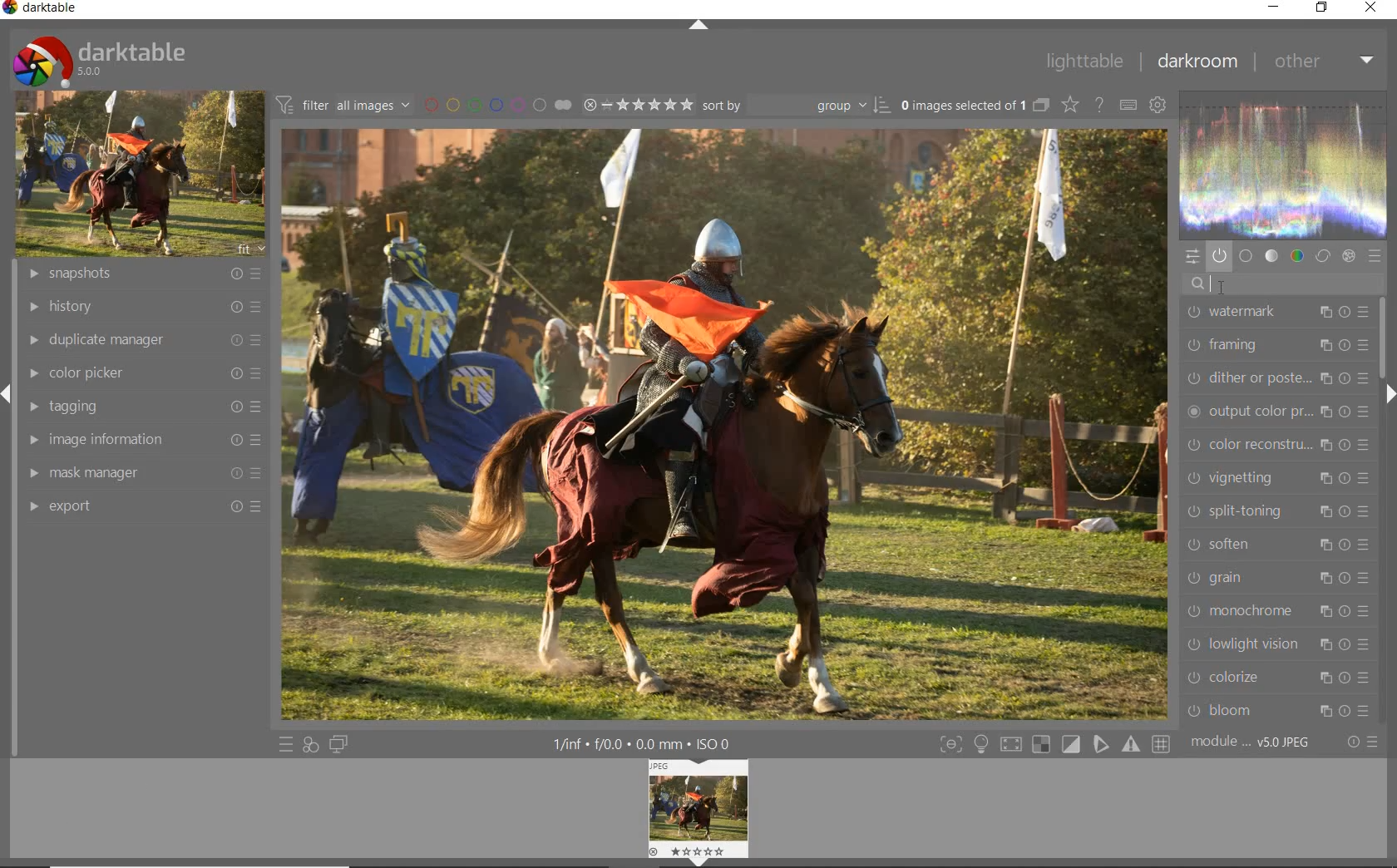  I want to click on split-toning, so click(1275, 510).